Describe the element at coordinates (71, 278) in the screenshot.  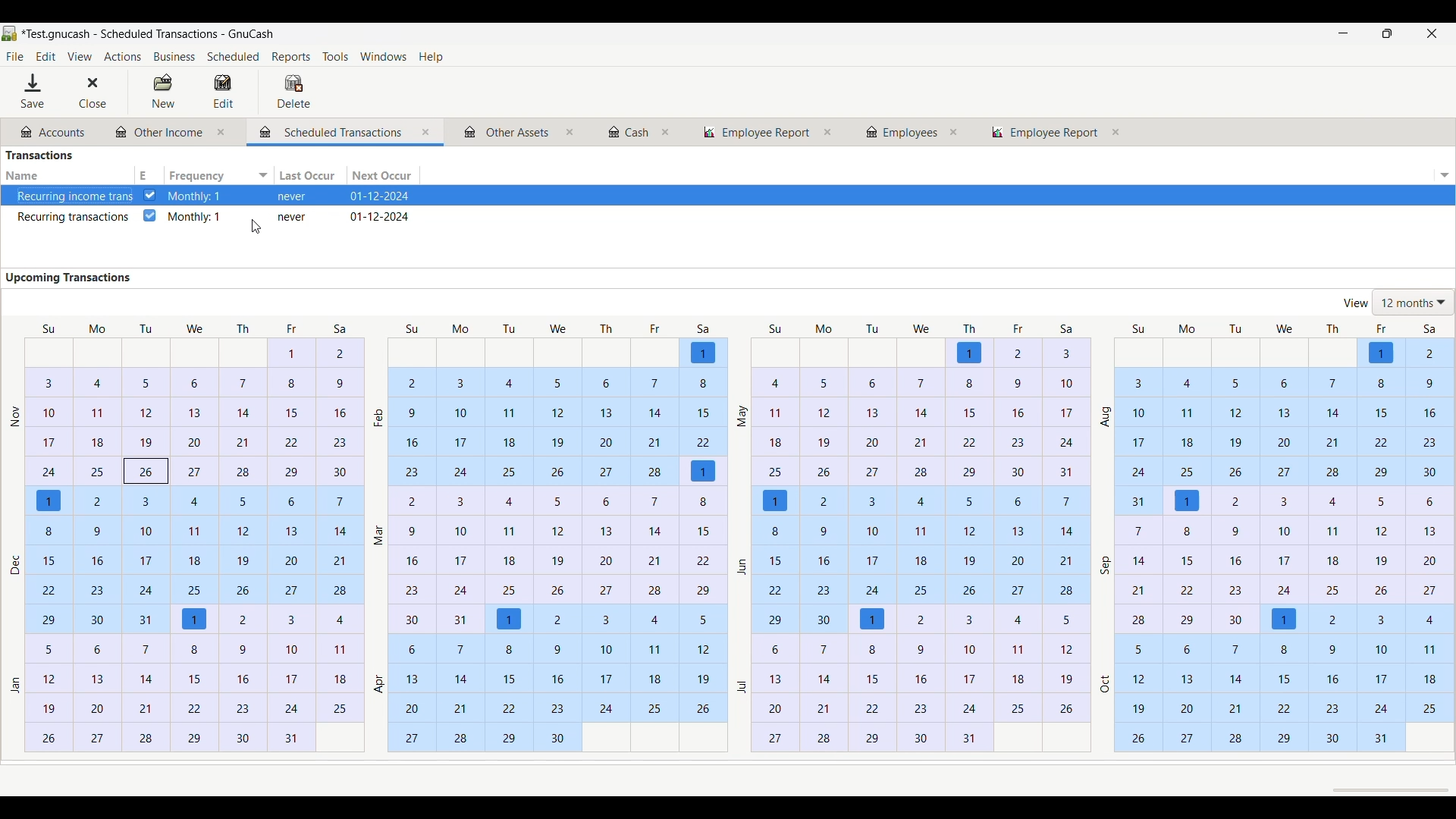
I see `Section title` at that location.